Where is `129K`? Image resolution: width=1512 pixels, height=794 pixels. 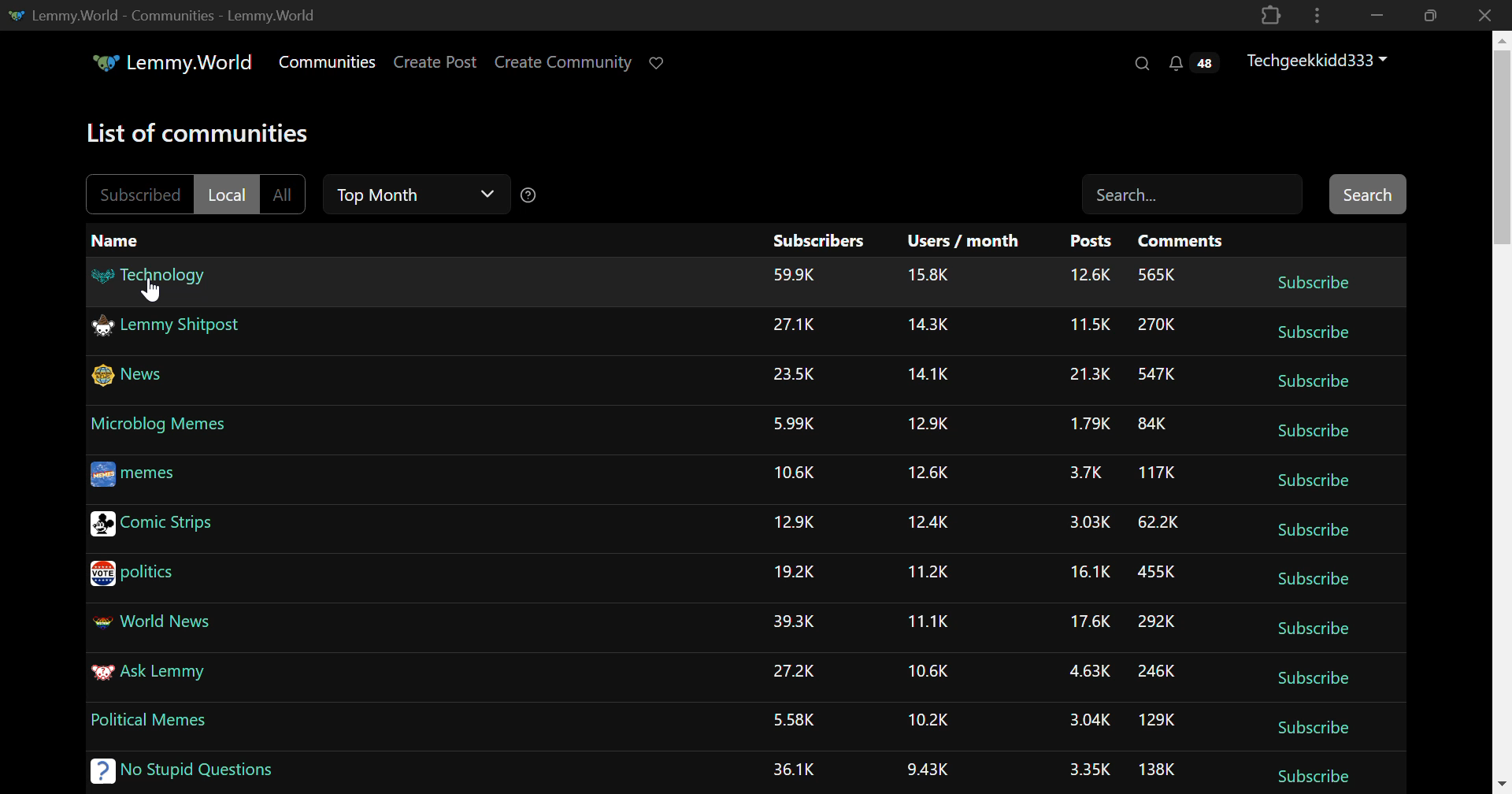 129K is located at coordinates (1158, 723).